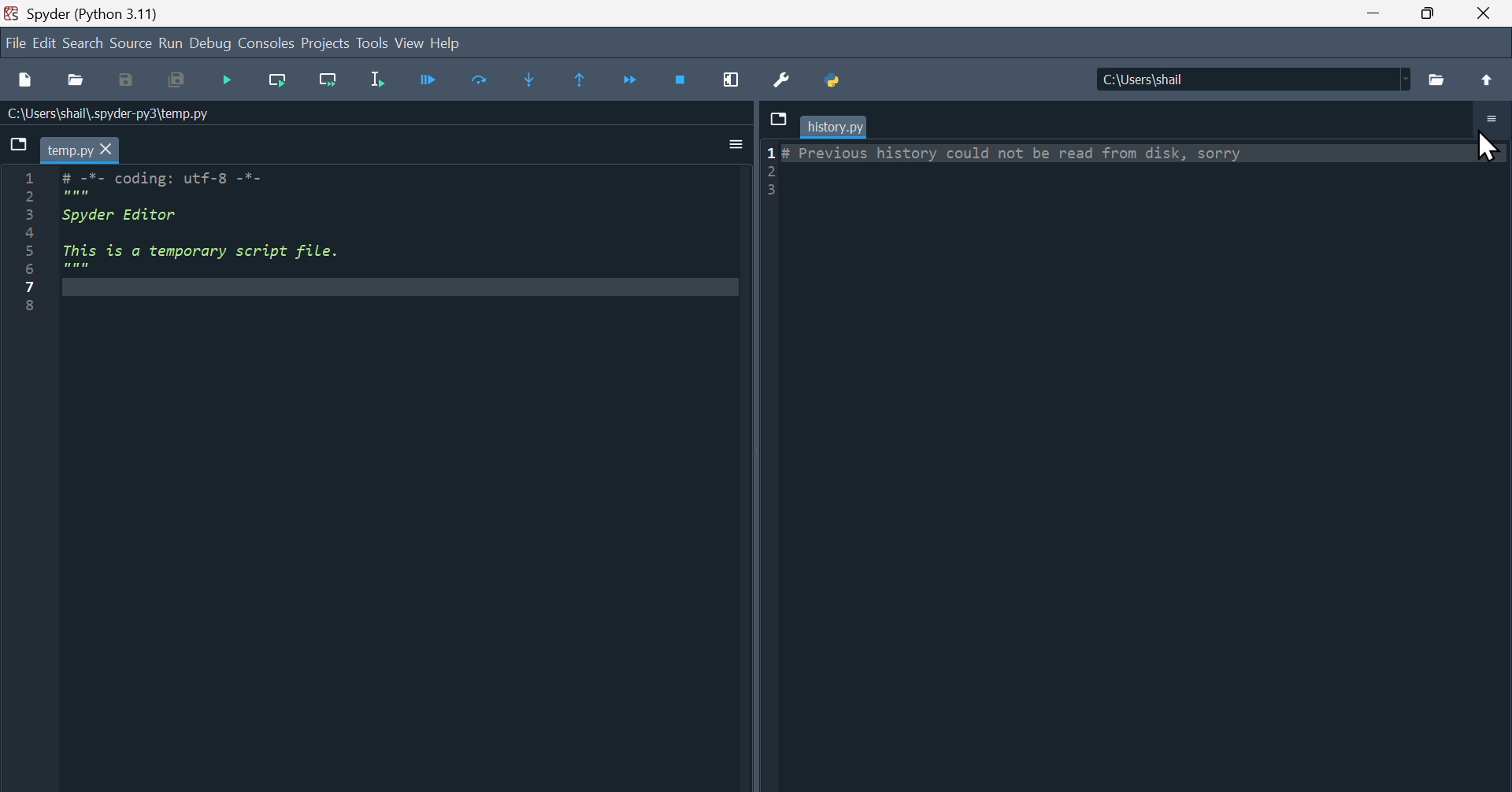 The image size is (1512, 792). I want to click on Browse tabs, so click(776, 120).